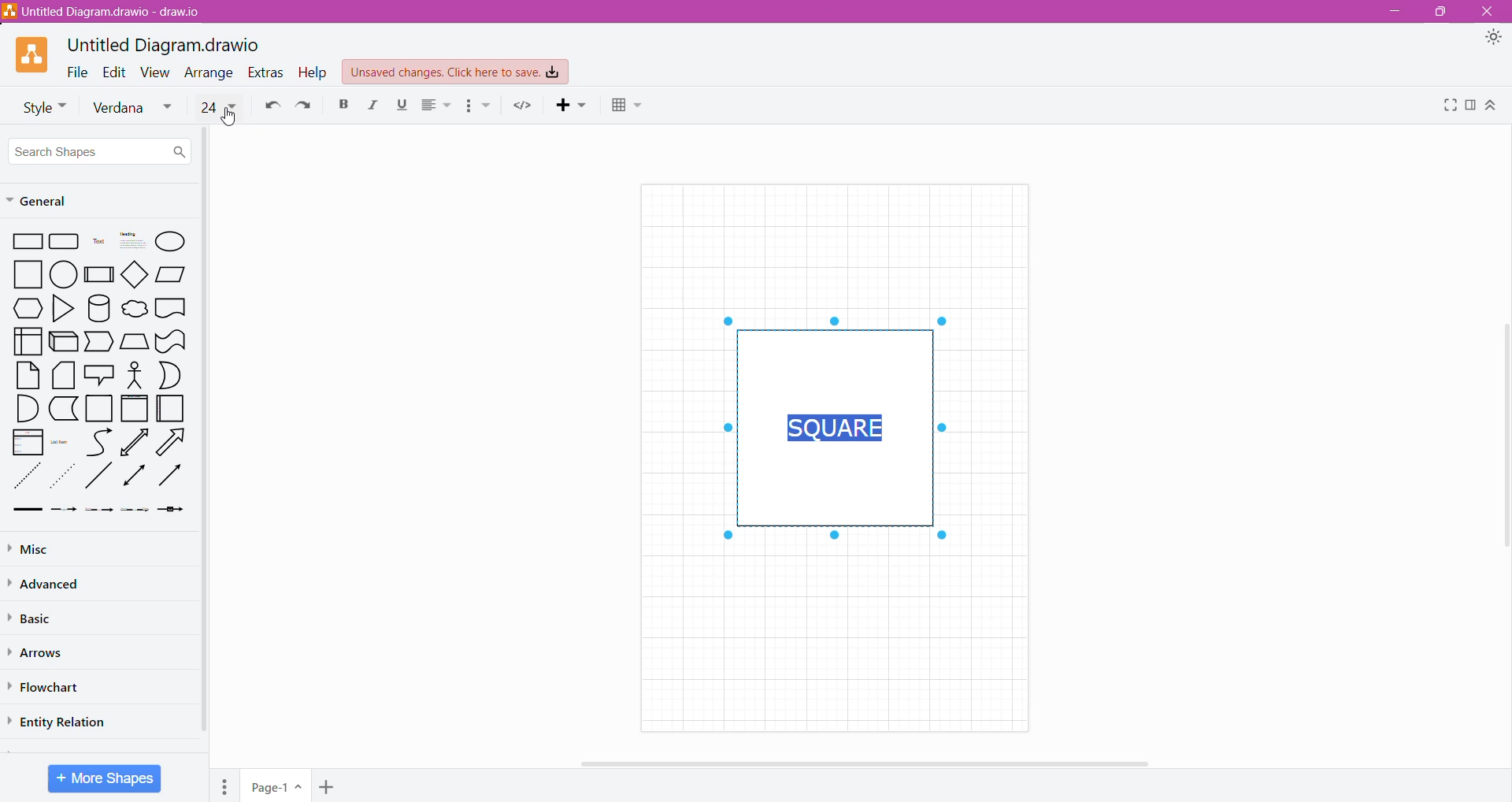  What do you see at coordinates (343, 106) in the screenshot?
I see `Bold` at bounding box center [343, 106].